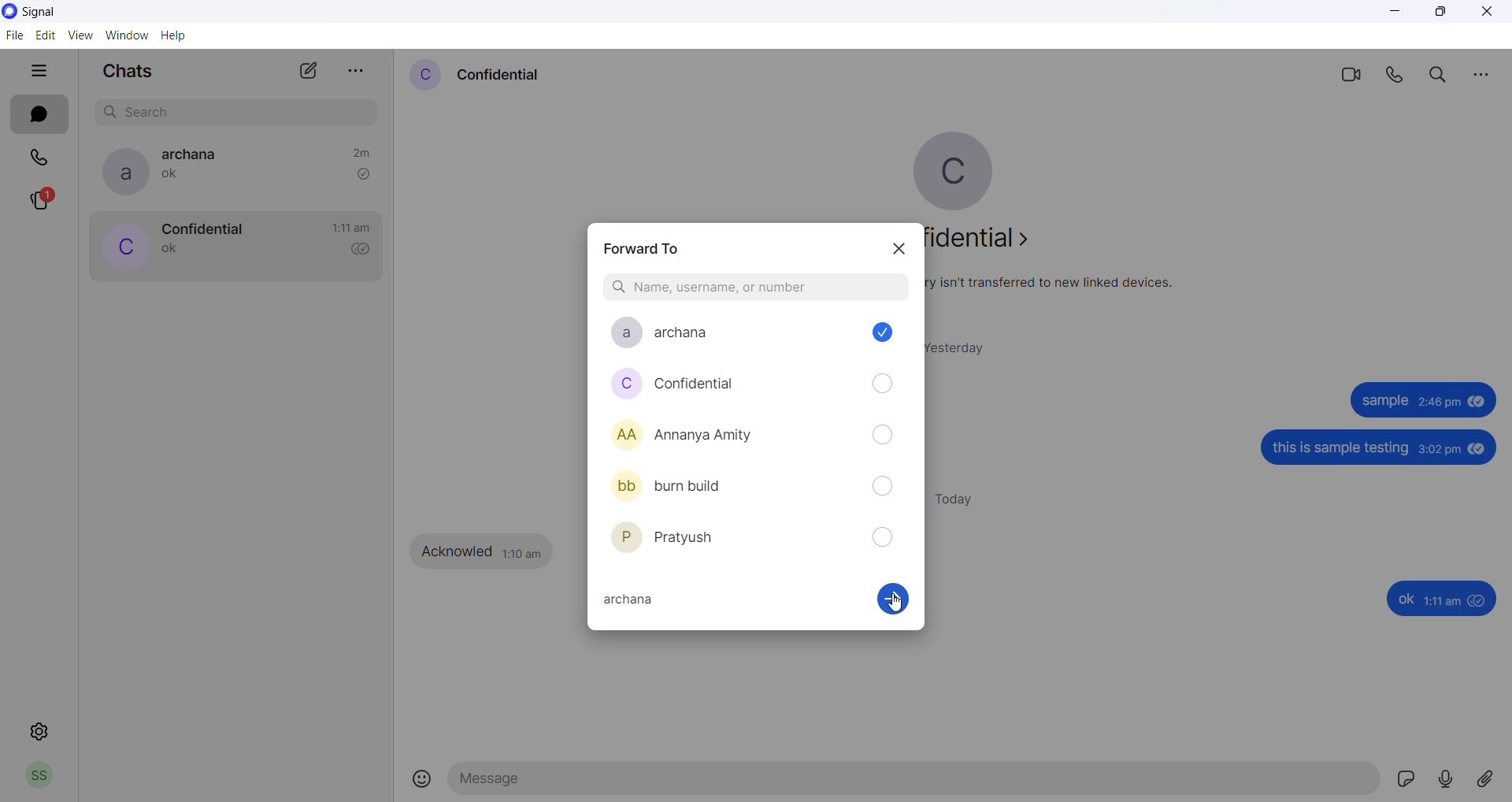 The image size is (1512, 802). I want to click on video call, so click(1349, 73).